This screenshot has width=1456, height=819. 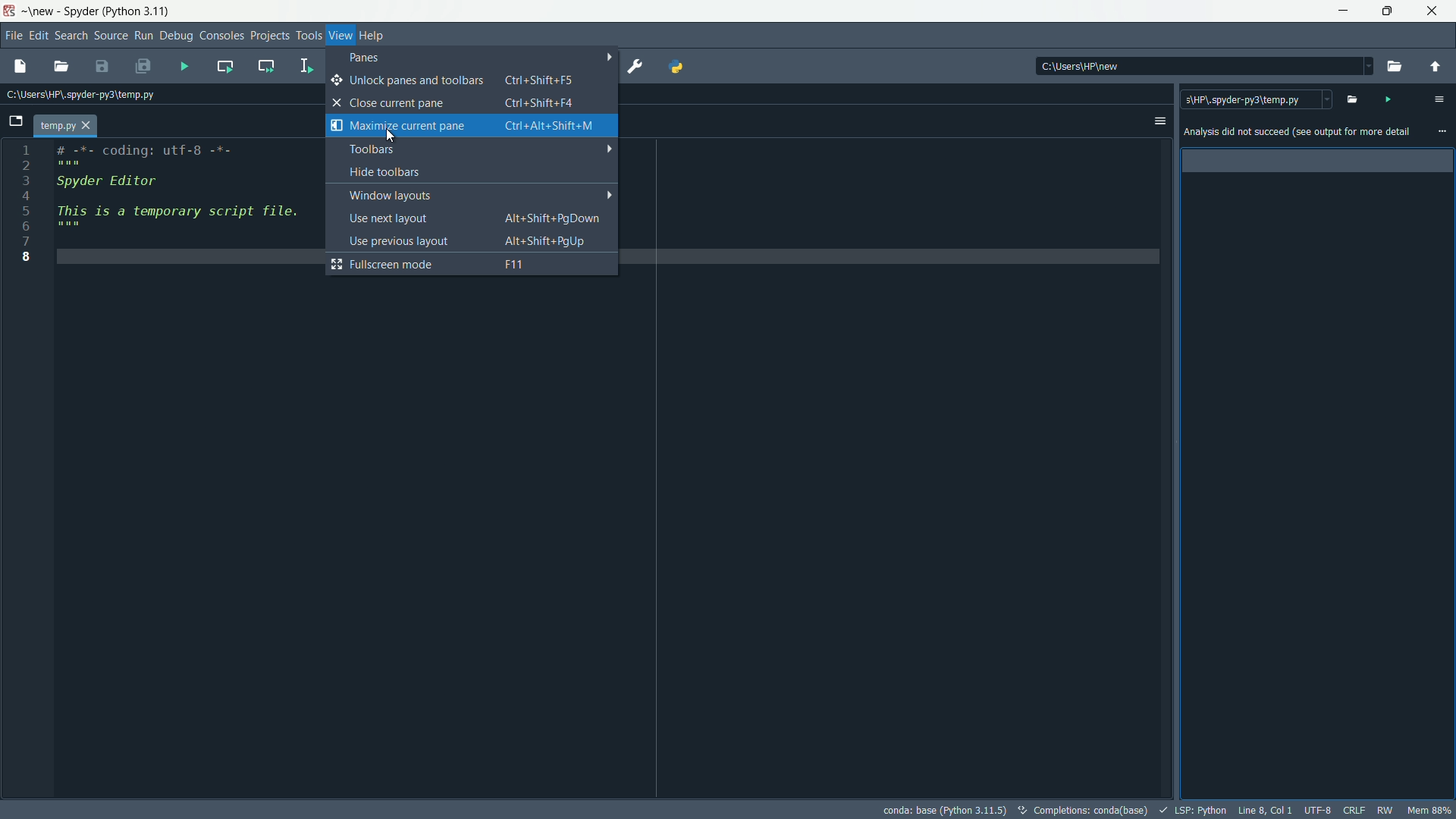 I want to click on minimize, so click(x=1346, y=11).